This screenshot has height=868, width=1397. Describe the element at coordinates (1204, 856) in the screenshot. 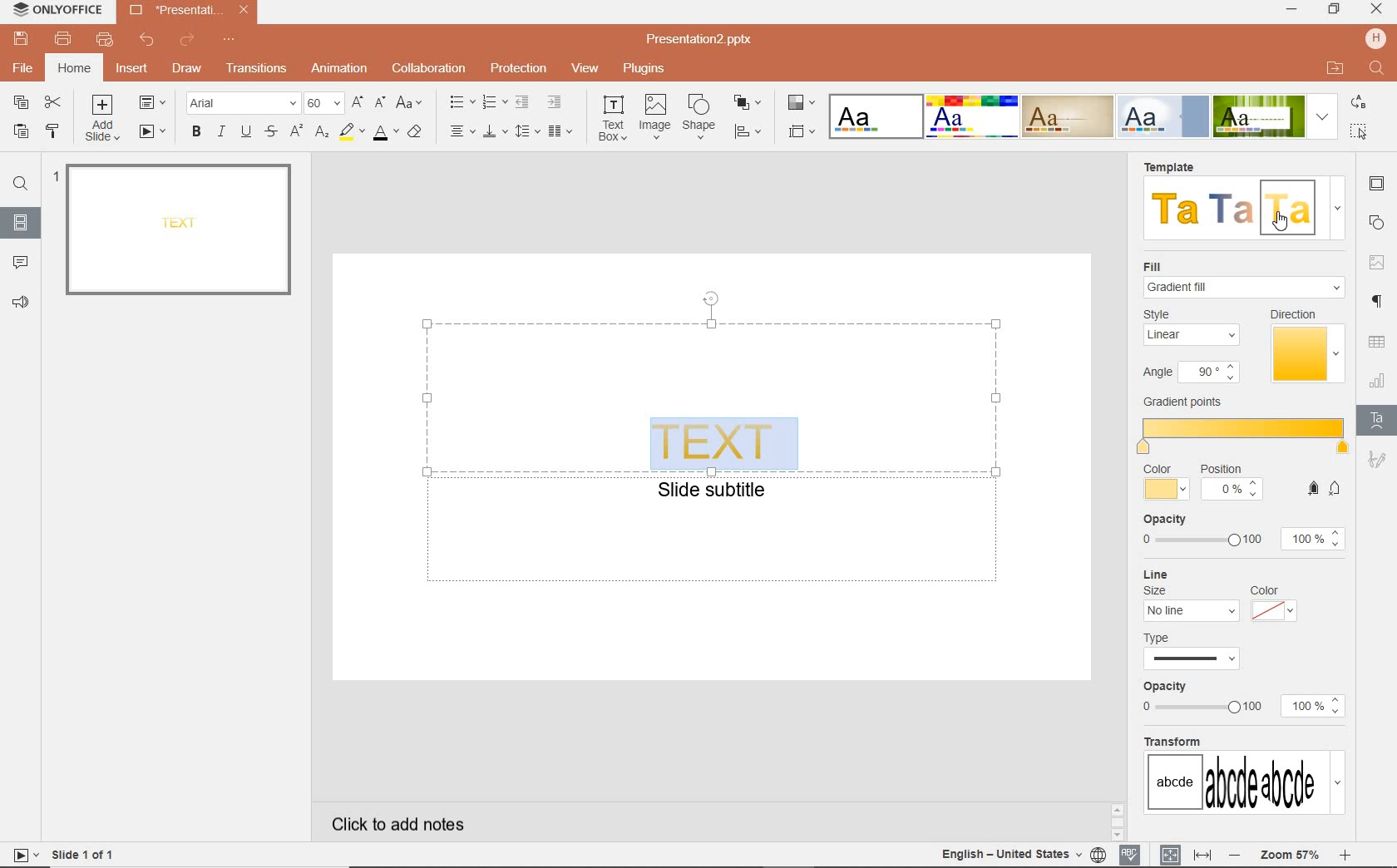

I see `fit to width` at that location.